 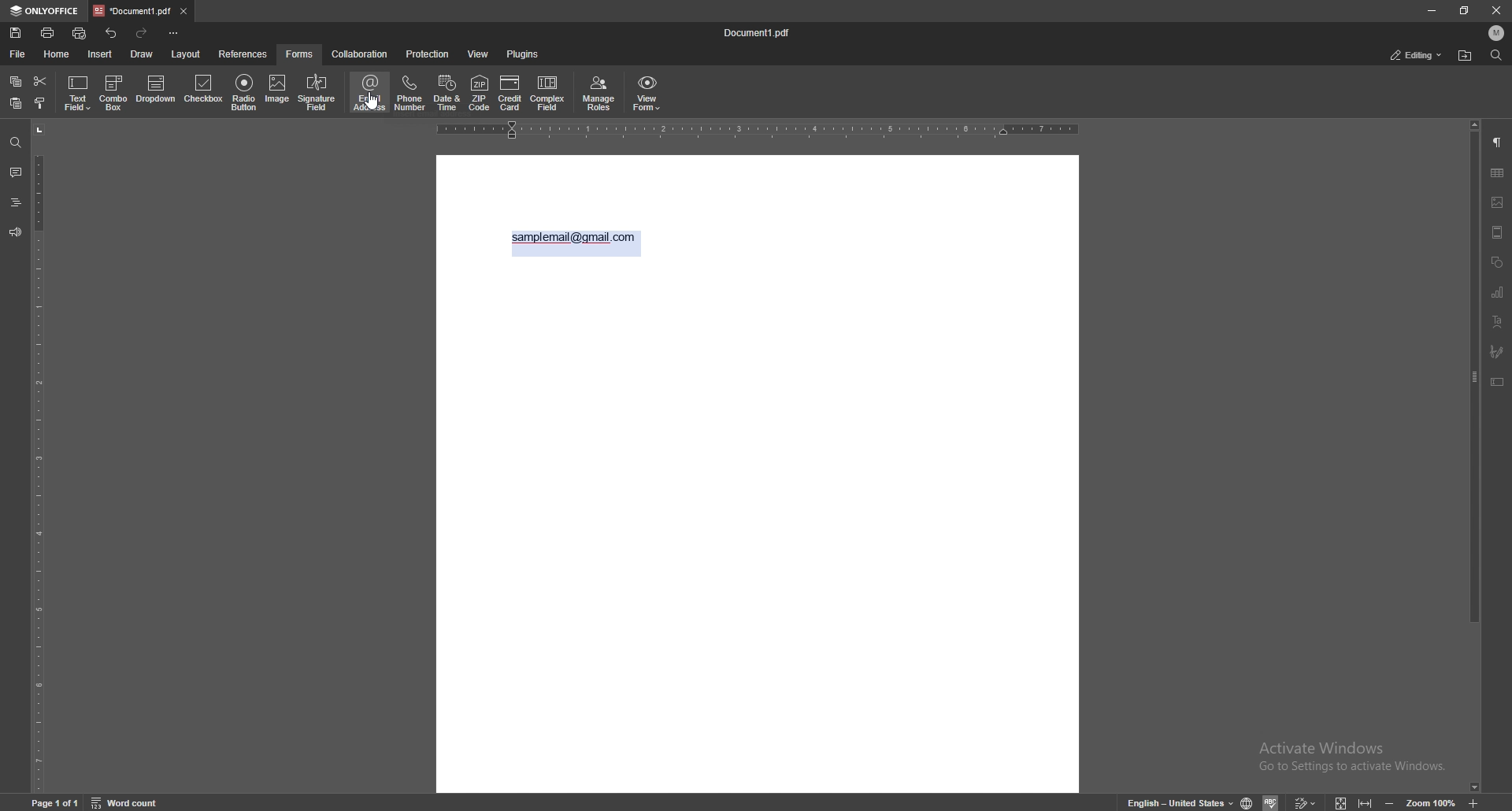 I want to click on combo box, so click(x=116, y=93).